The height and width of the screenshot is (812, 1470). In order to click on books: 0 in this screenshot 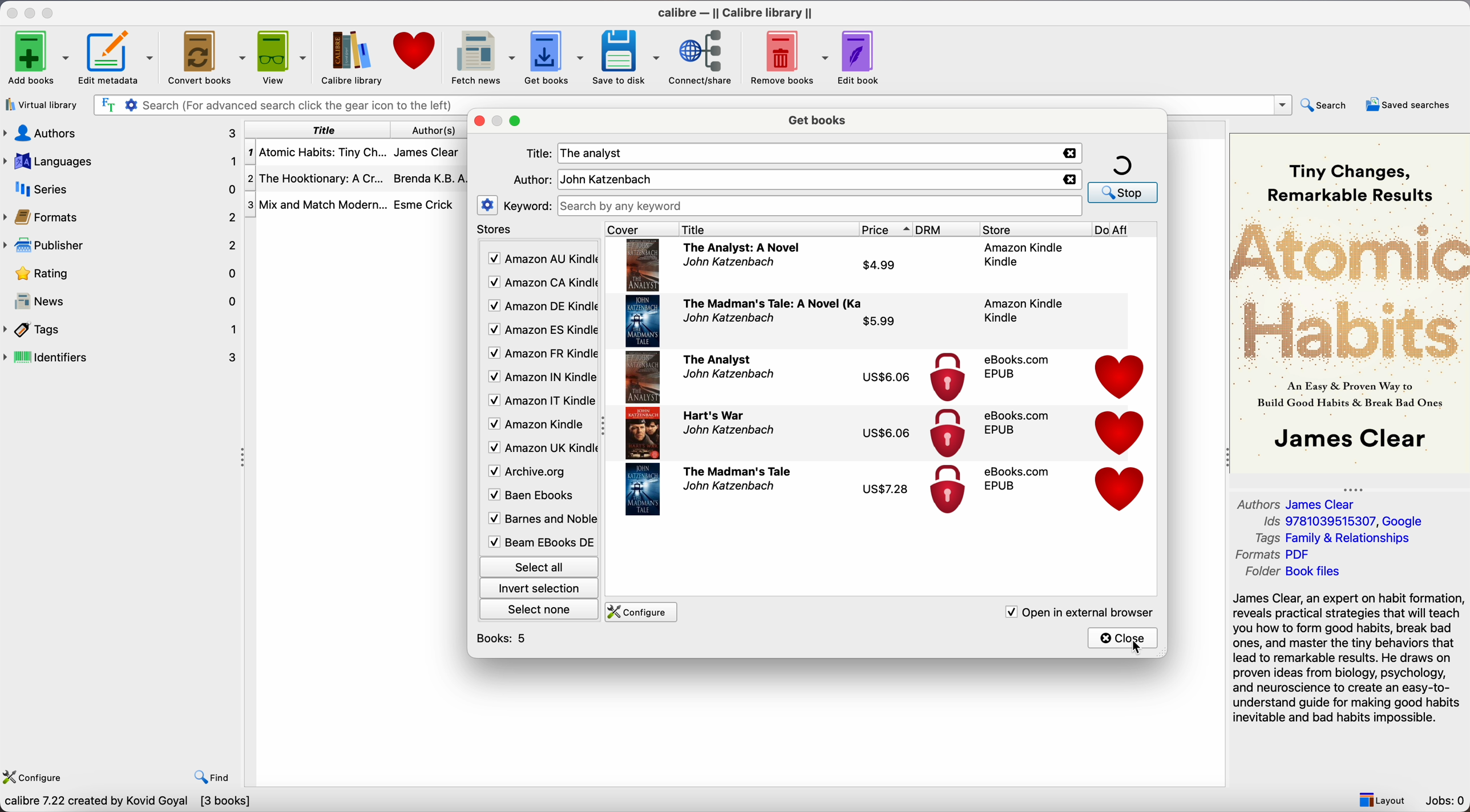, I will do `click(504, 638)`.